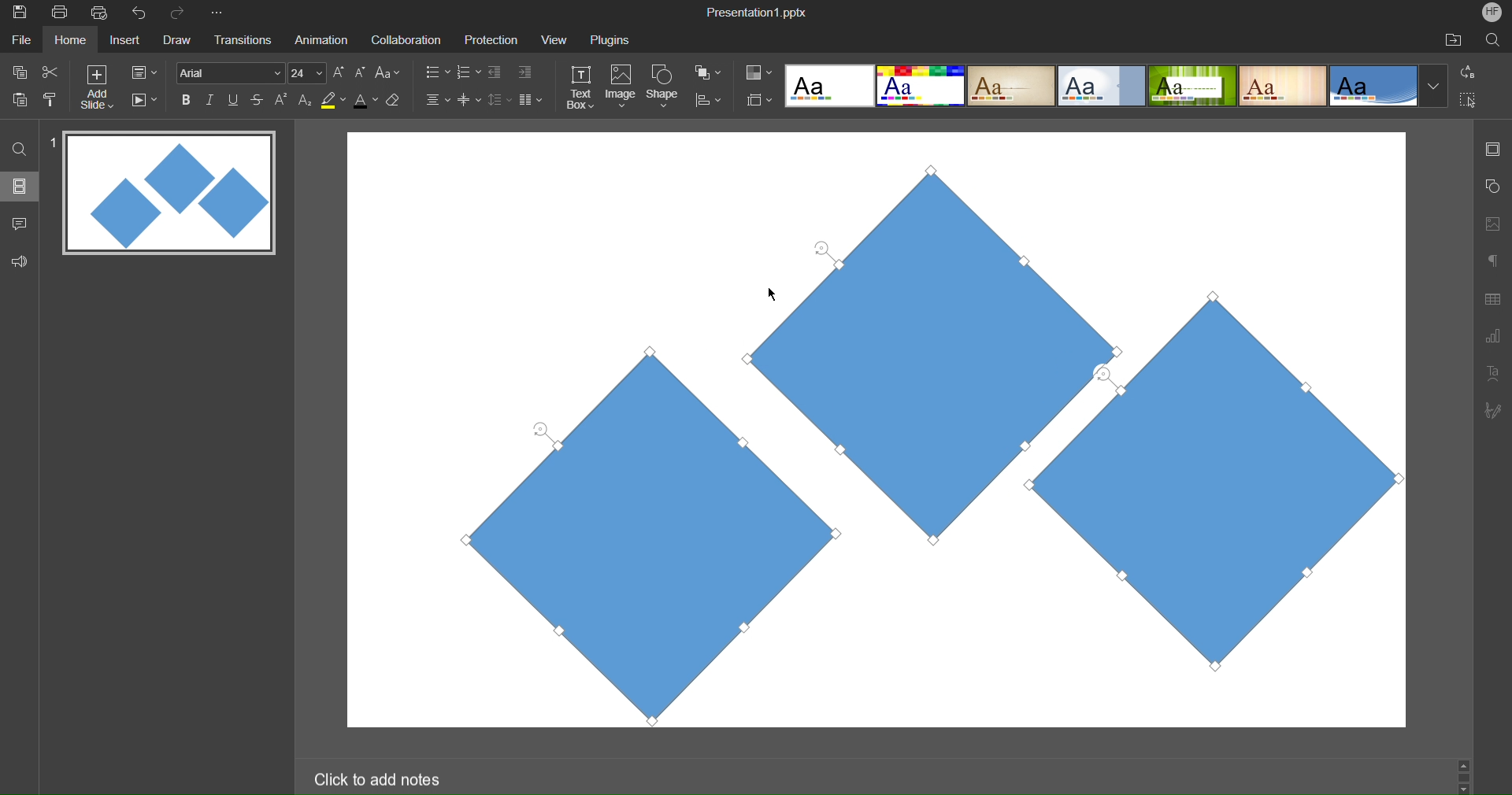  I want to click on copy, so click(17, 72).